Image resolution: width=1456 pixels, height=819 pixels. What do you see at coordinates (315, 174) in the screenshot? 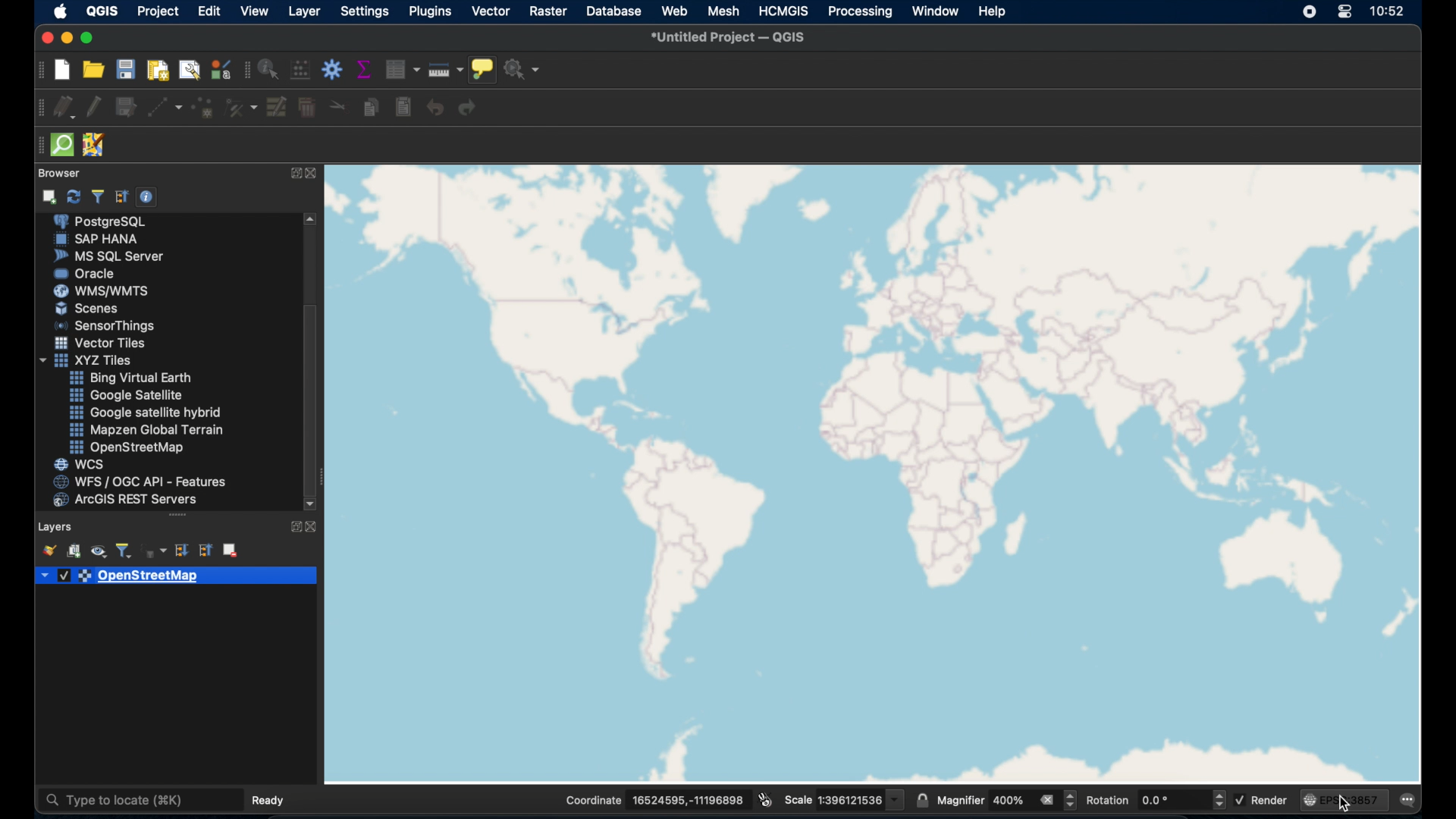
I see `close` at bounding box center [315, 174].